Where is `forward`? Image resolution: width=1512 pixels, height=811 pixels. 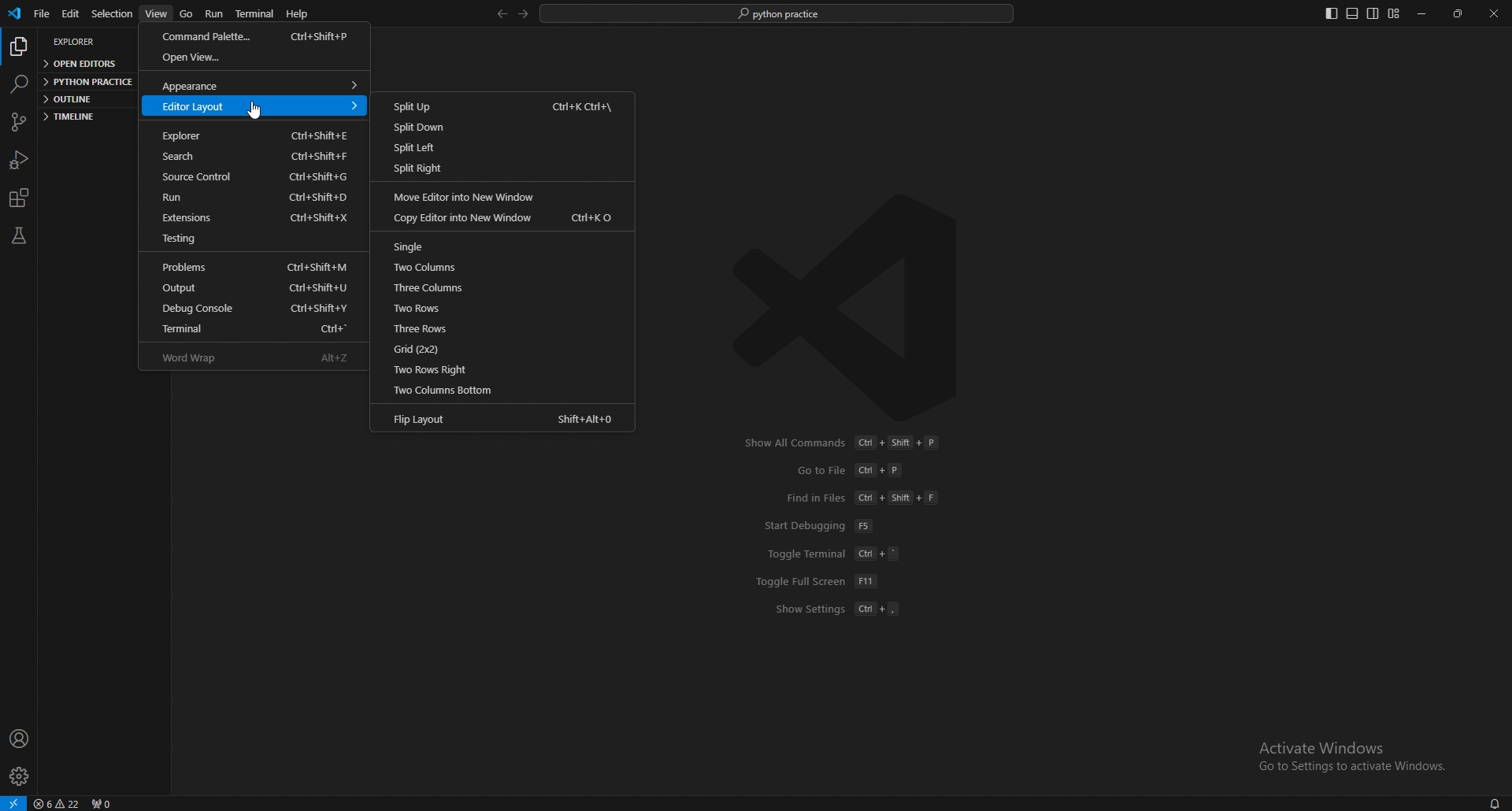 forward is located at coordinates (523, 13).